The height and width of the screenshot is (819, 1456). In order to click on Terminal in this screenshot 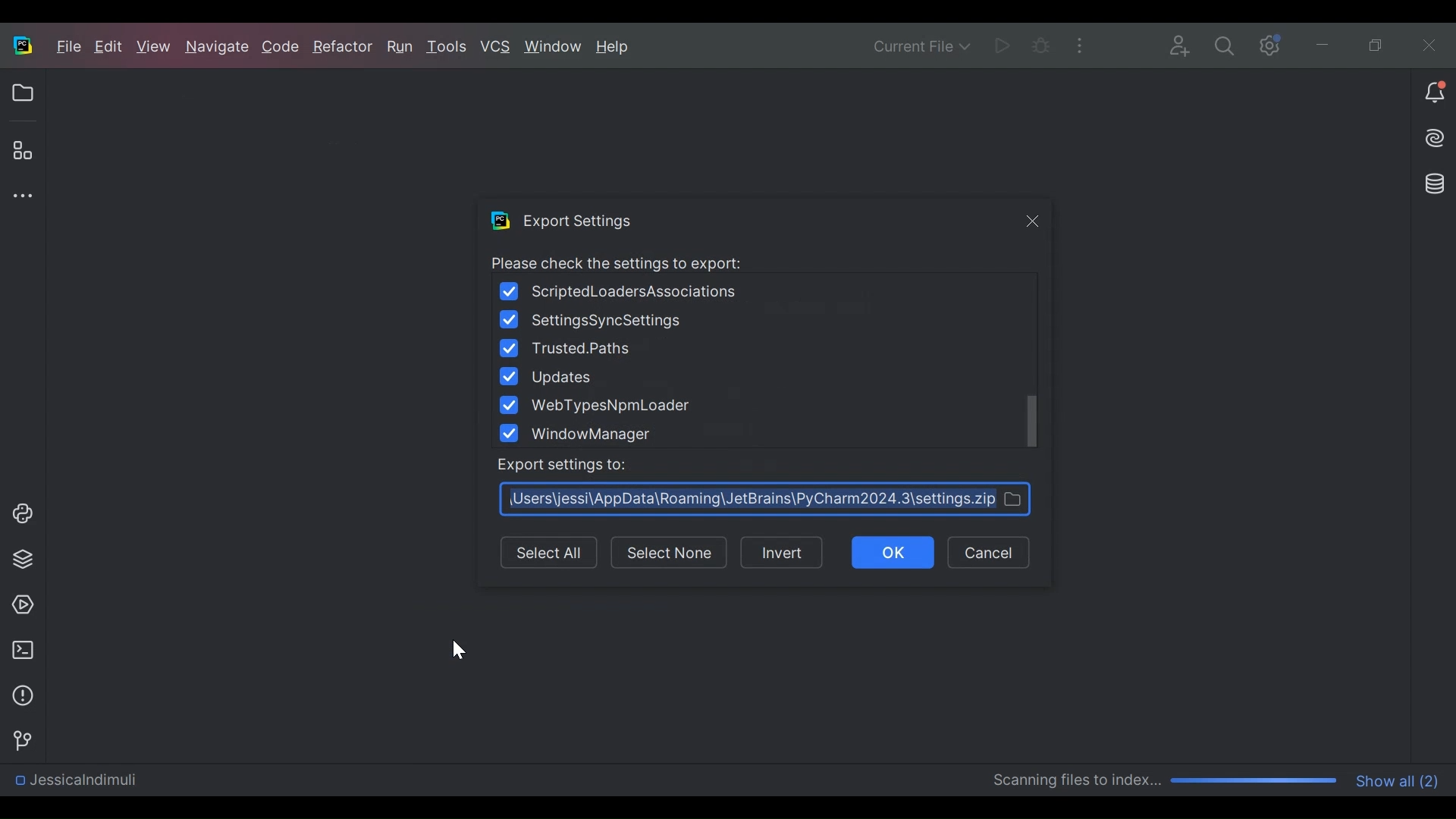, I will do `click(19, 650)`.